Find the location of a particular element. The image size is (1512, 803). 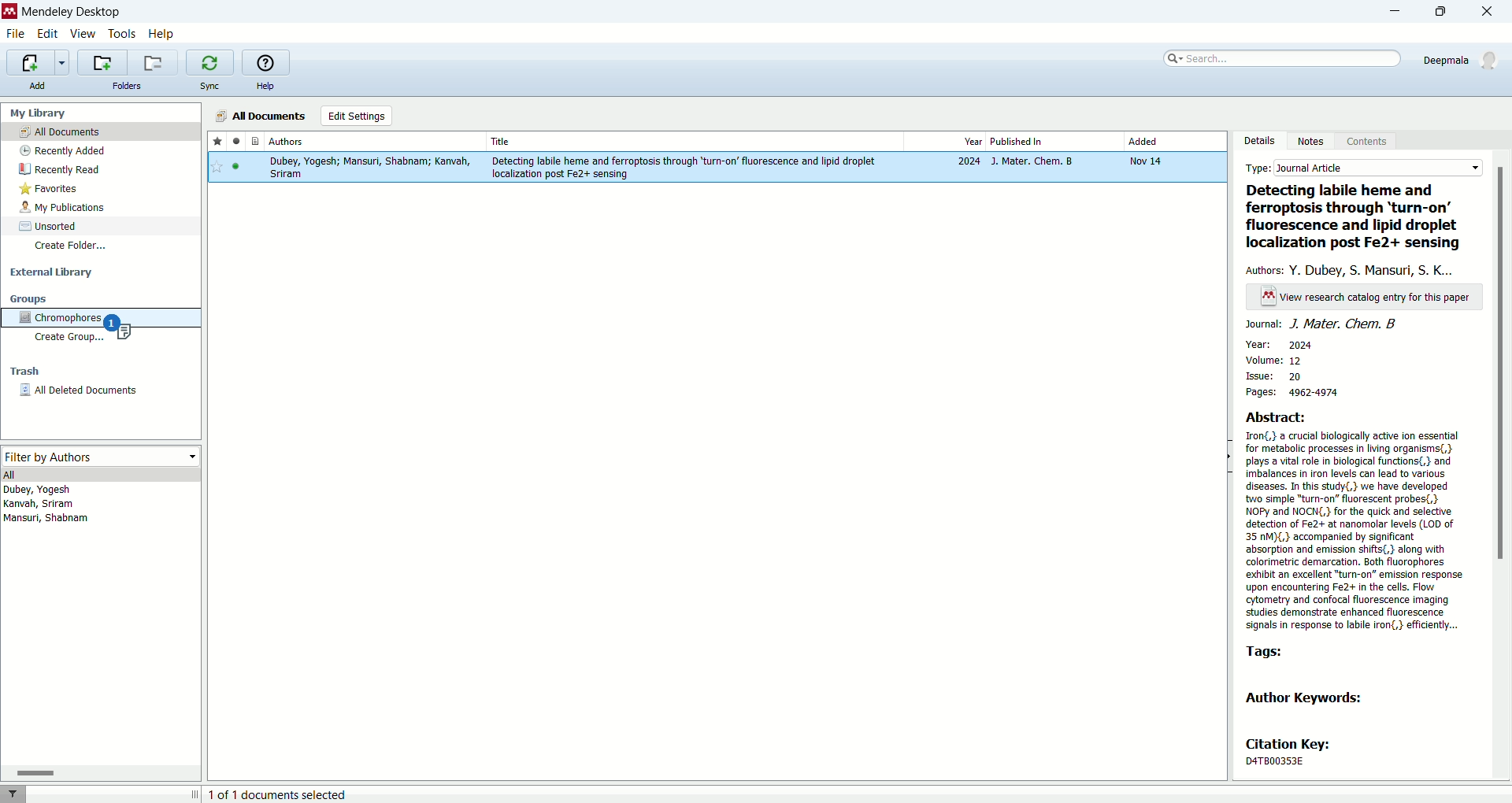

read/unread is located at coordinates (234, 141).